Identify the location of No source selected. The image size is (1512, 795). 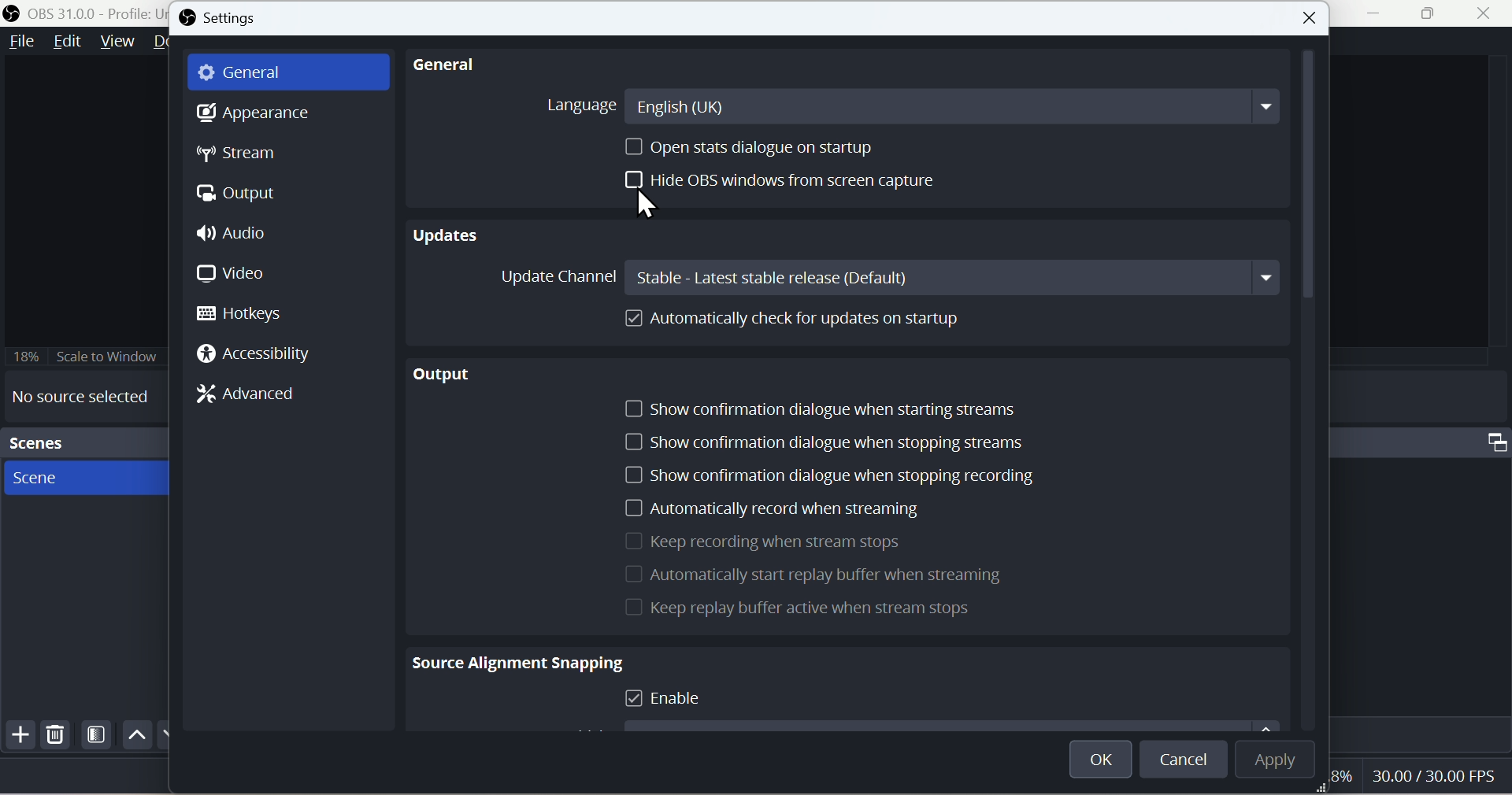
(85, 398).